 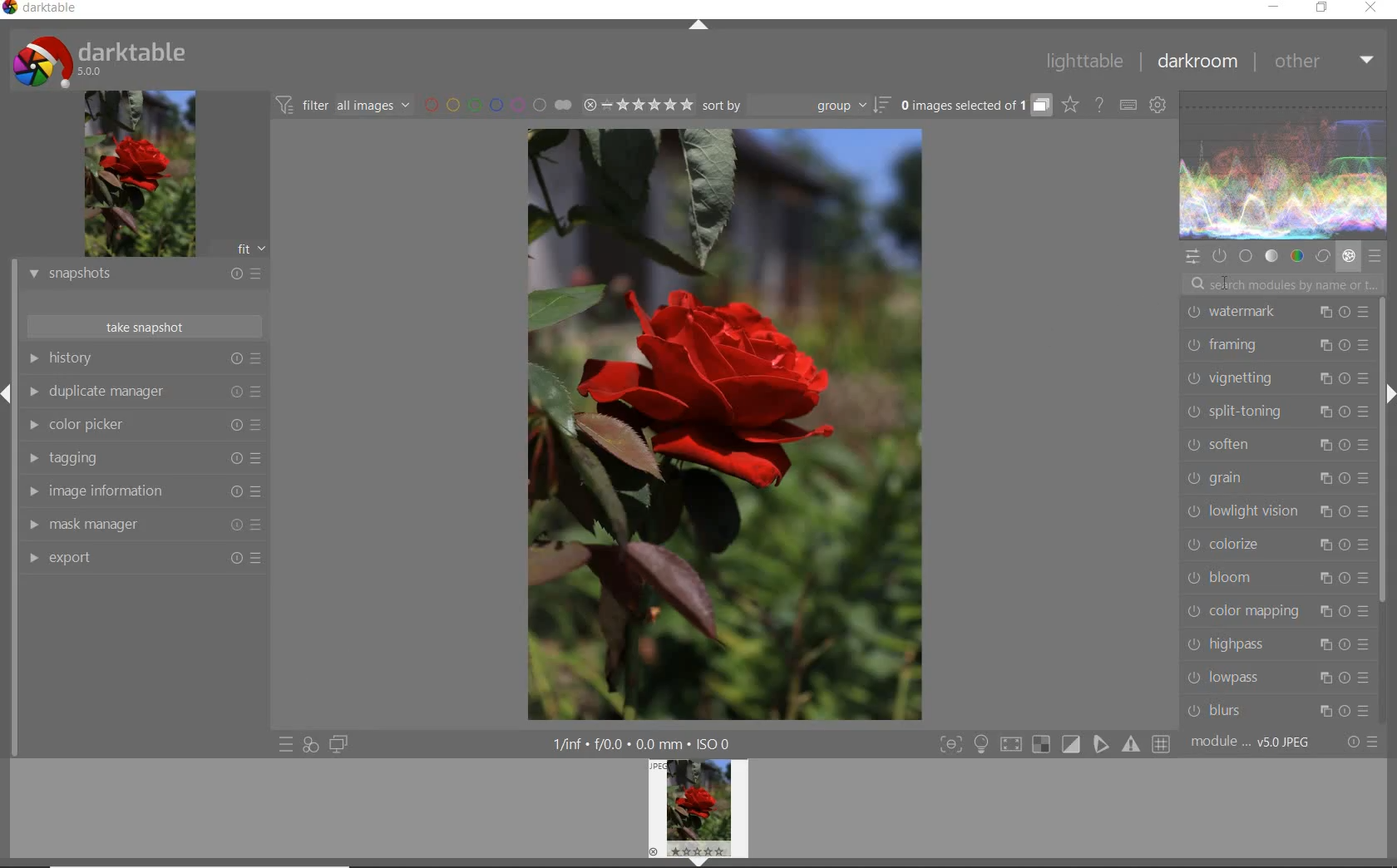 I want to click on click to change overlays on thumbnails, so click(x=1068, y=104).